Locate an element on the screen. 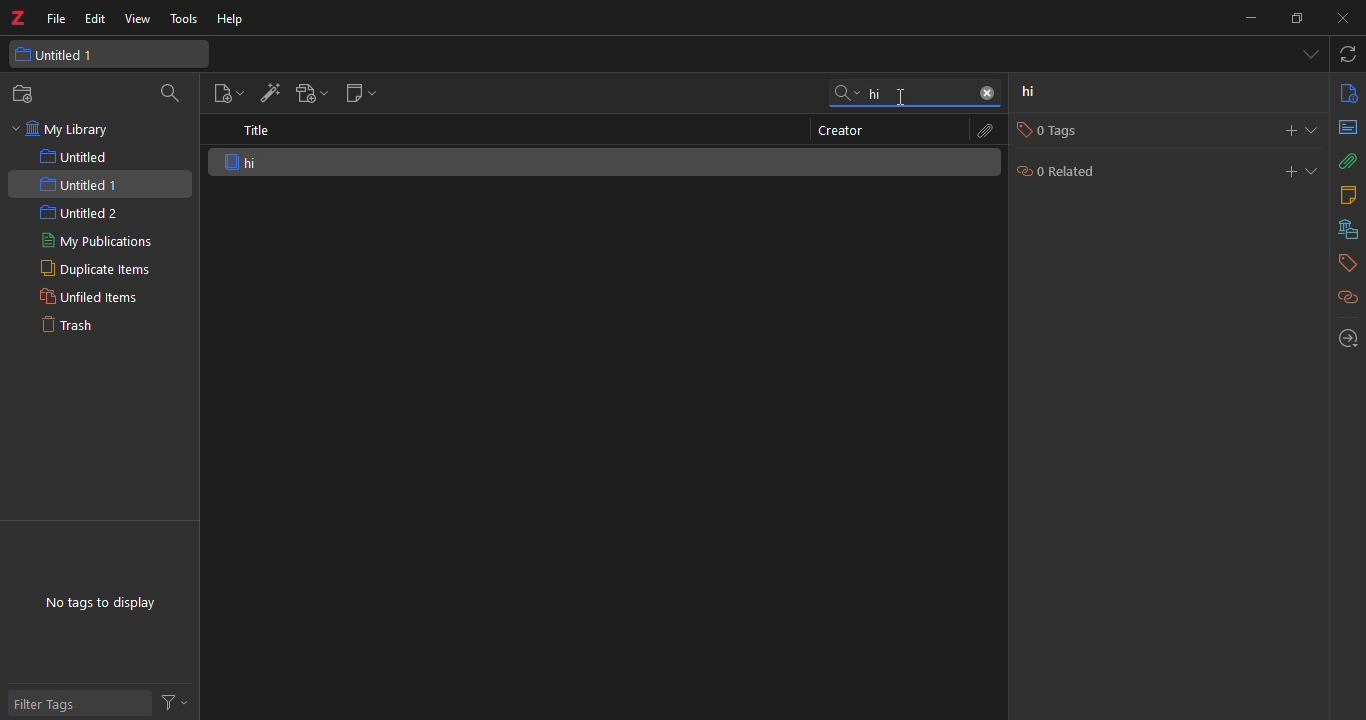 The height and width of the screenshot is (720, 1366). attach is located at coordinates (1348, 162).